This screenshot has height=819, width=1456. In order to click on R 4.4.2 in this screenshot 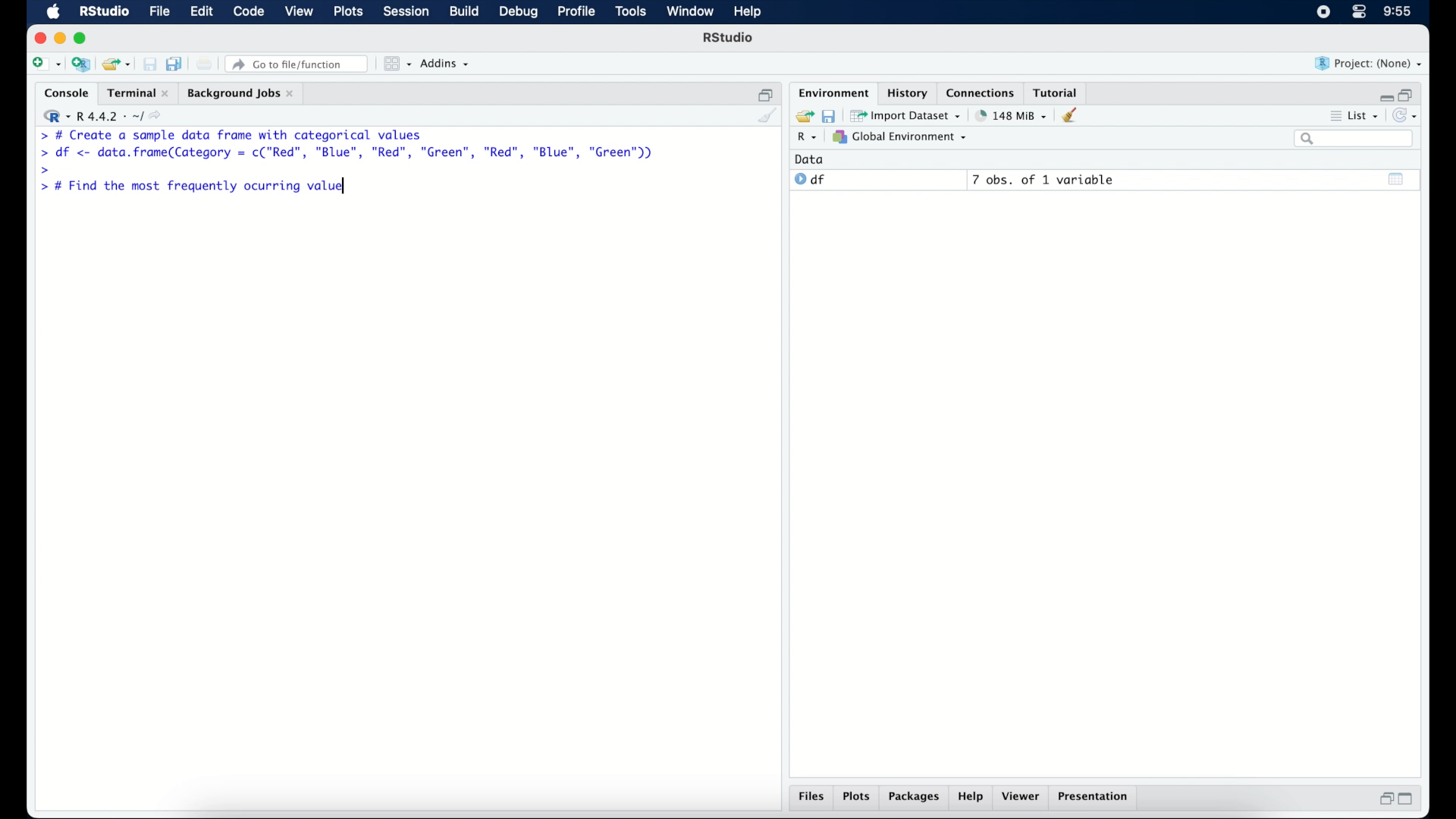, I will do `click(102, 114)`.